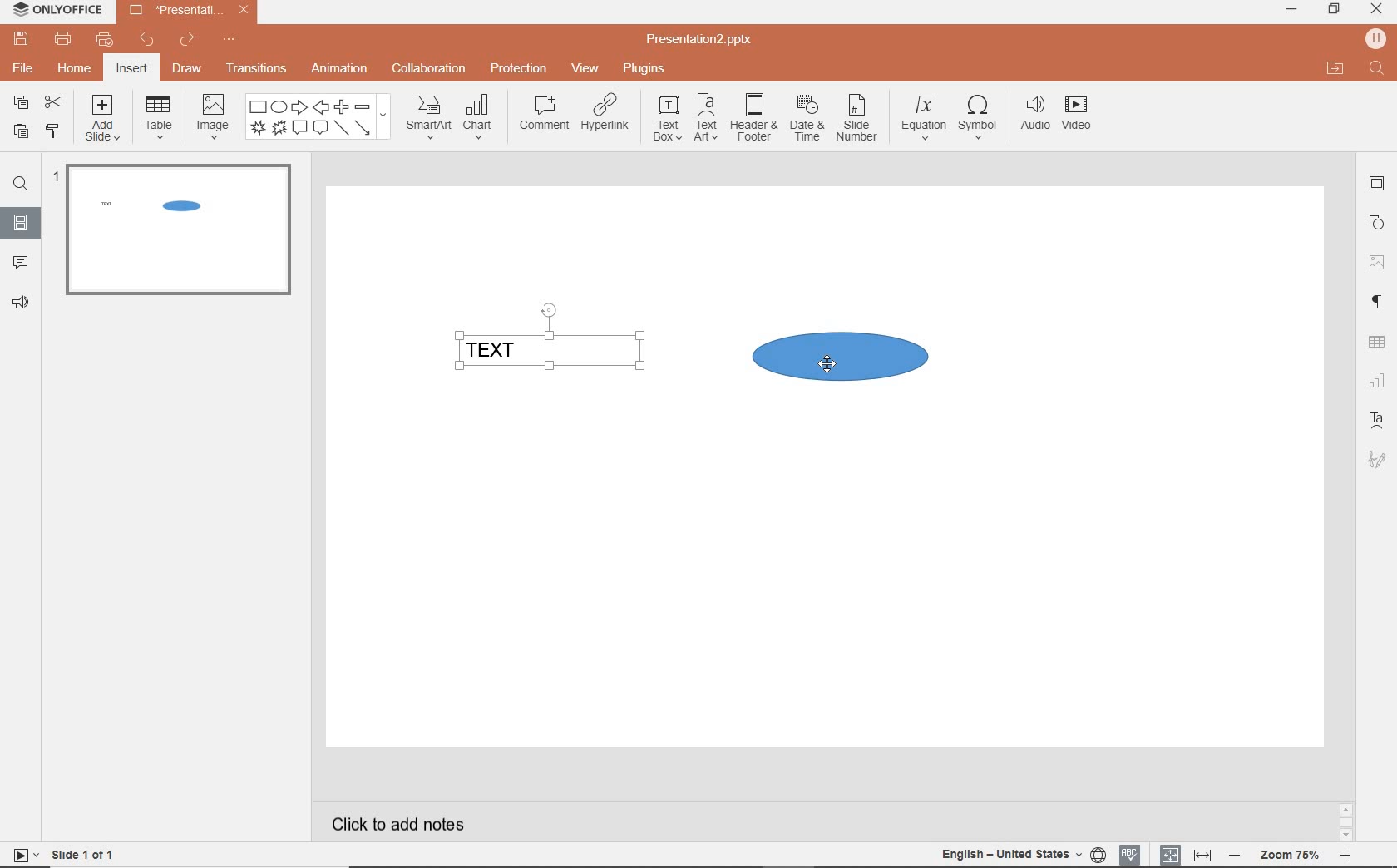 The height and width of the screenshot is (868, 1397). Describe the element at coordinates (1379, 70) in the screenshot. I see `FIND` at that location.